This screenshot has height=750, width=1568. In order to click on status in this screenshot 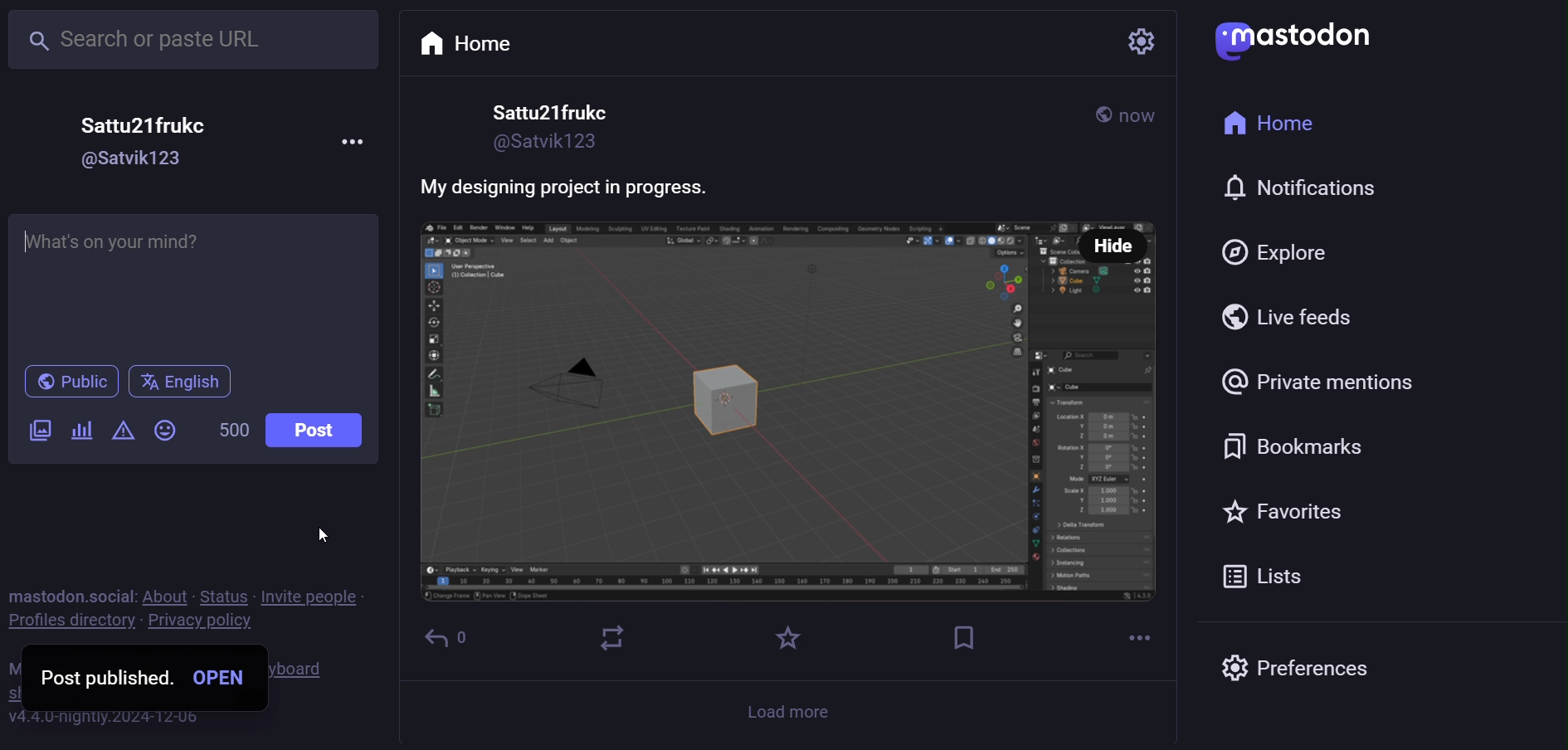, I will do `click(221, 594)`.